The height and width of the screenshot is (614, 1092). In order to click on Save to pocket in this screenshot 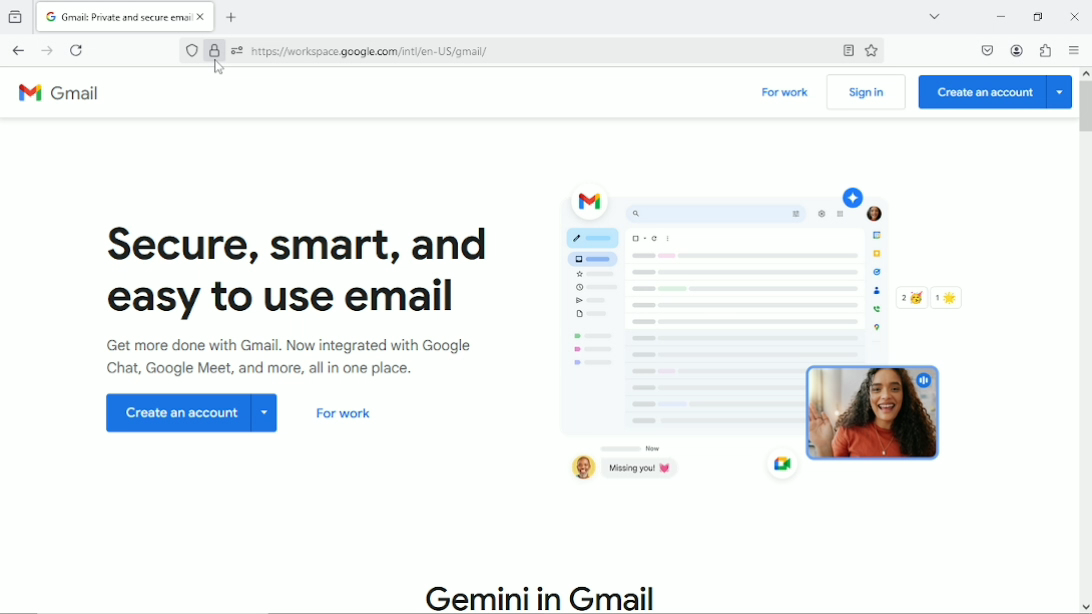, I will do `click(986, 50)`.